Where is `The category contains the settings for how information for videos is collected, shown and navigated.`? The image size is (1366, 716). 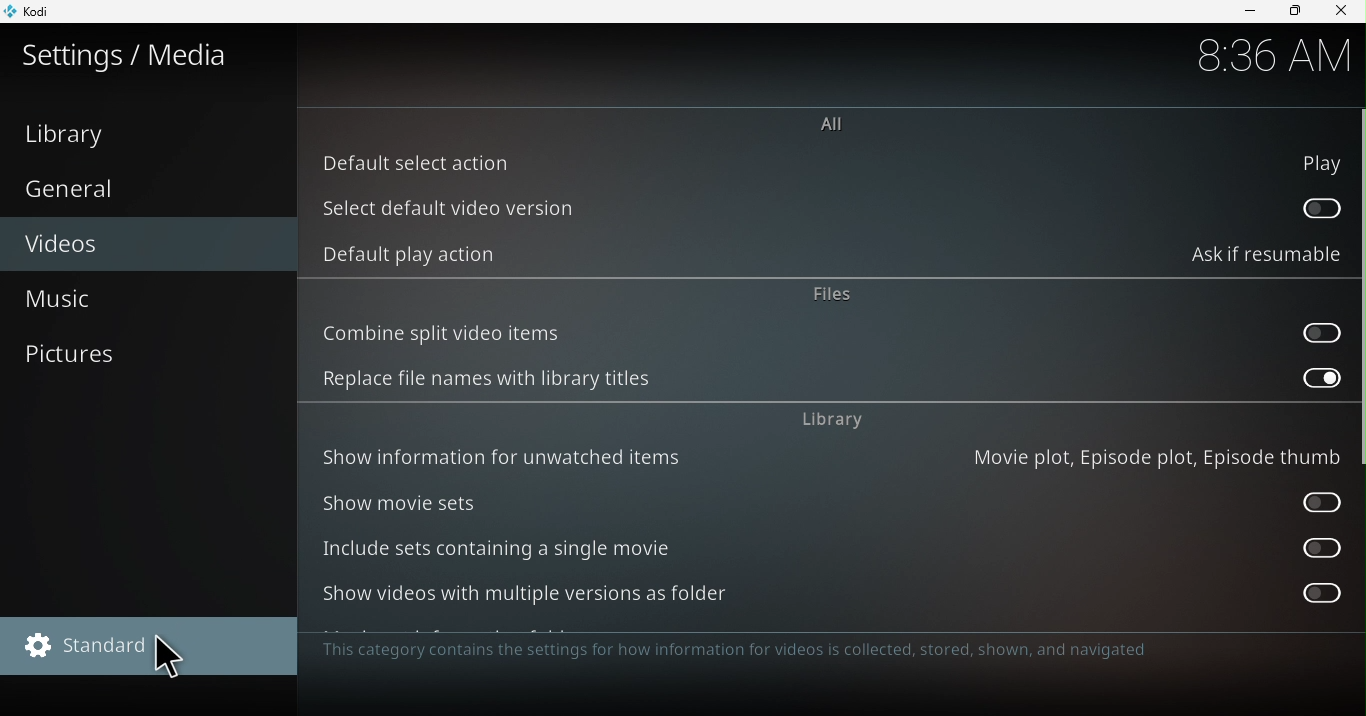 The category contains the settings for how information for videos is collected, shown and navigated. is located at coordinates (746, 655).